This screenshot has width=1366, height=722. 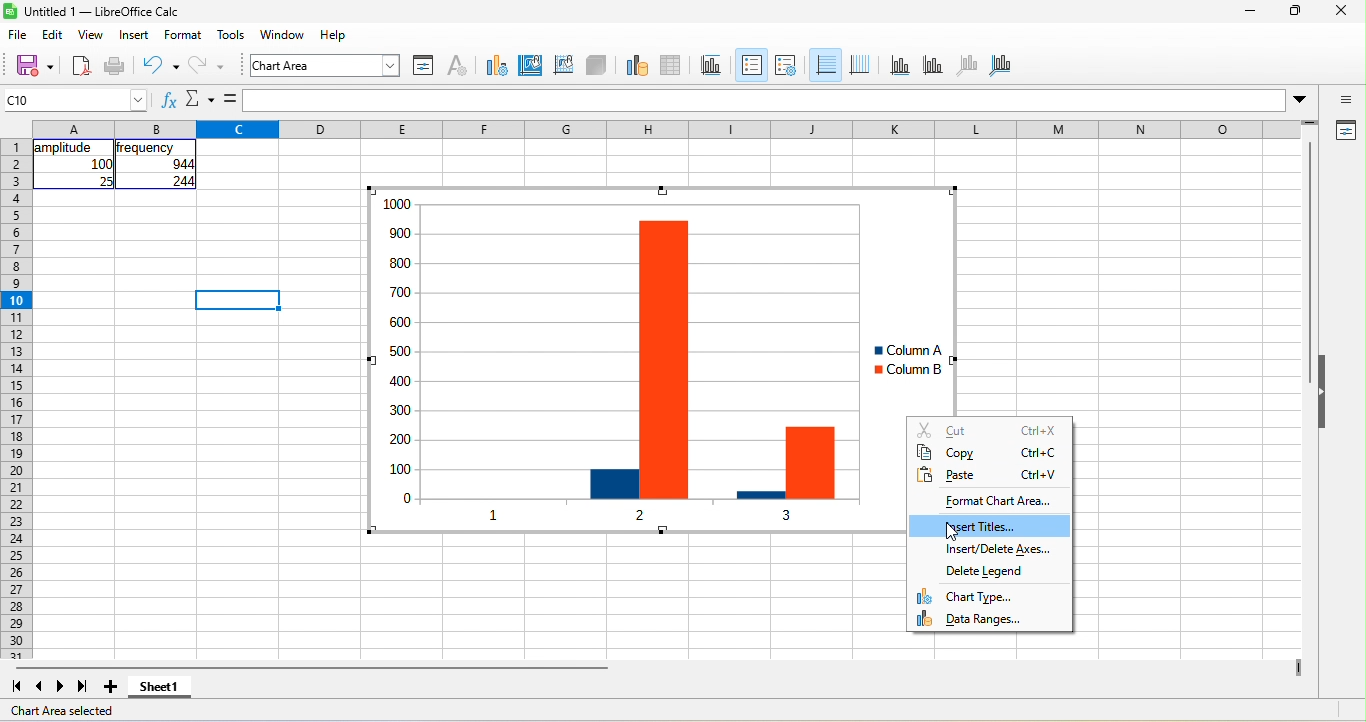 What do you see at coordinates (283, 34) in the screenshot?
I see `window` at bounding box center [283, 34].